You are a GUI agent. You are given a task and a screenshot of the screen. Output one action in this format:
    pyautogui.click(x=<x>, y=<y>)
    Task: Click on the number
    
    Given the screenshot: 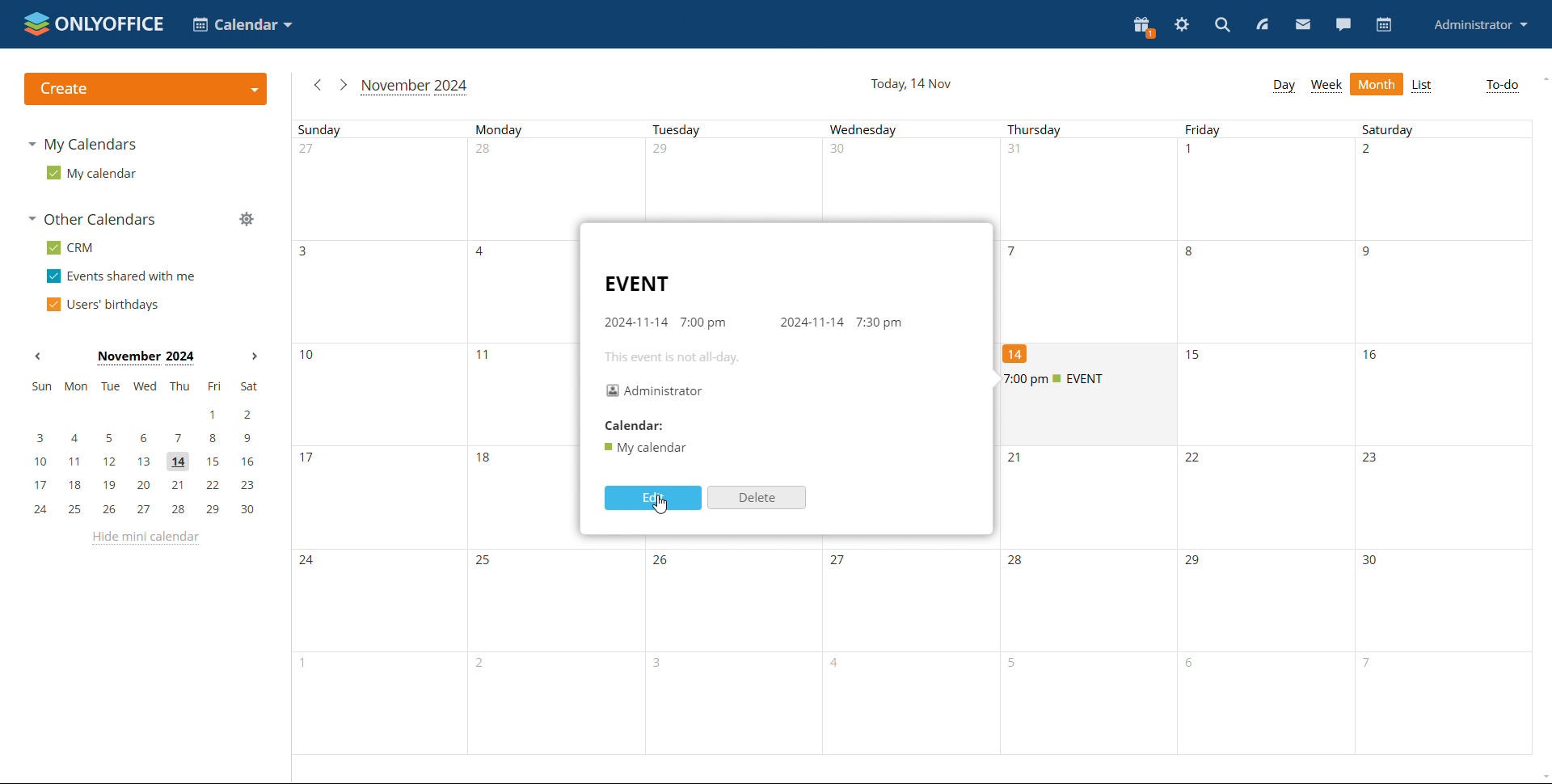 What is the action you would take?
    pyautogui.click(x=1192, y=252)
    